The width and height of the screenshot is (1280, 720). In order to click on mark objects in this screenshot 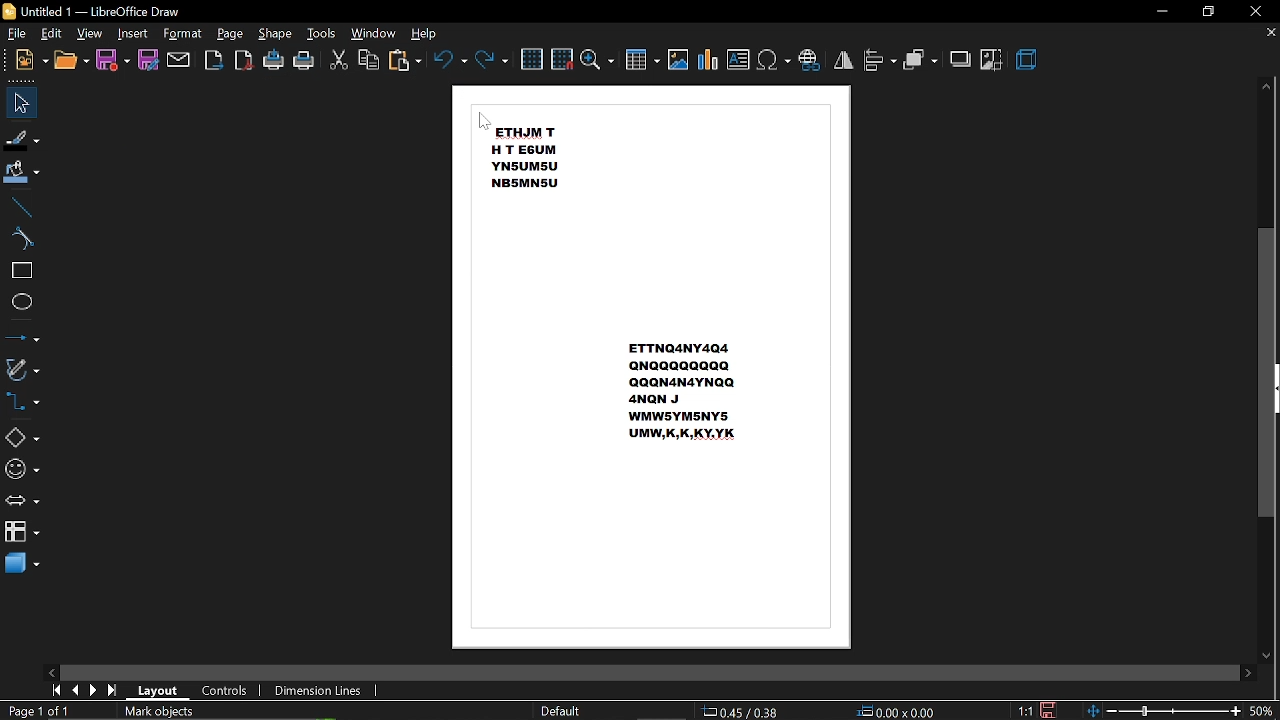, I will do `click(192, 711)`.